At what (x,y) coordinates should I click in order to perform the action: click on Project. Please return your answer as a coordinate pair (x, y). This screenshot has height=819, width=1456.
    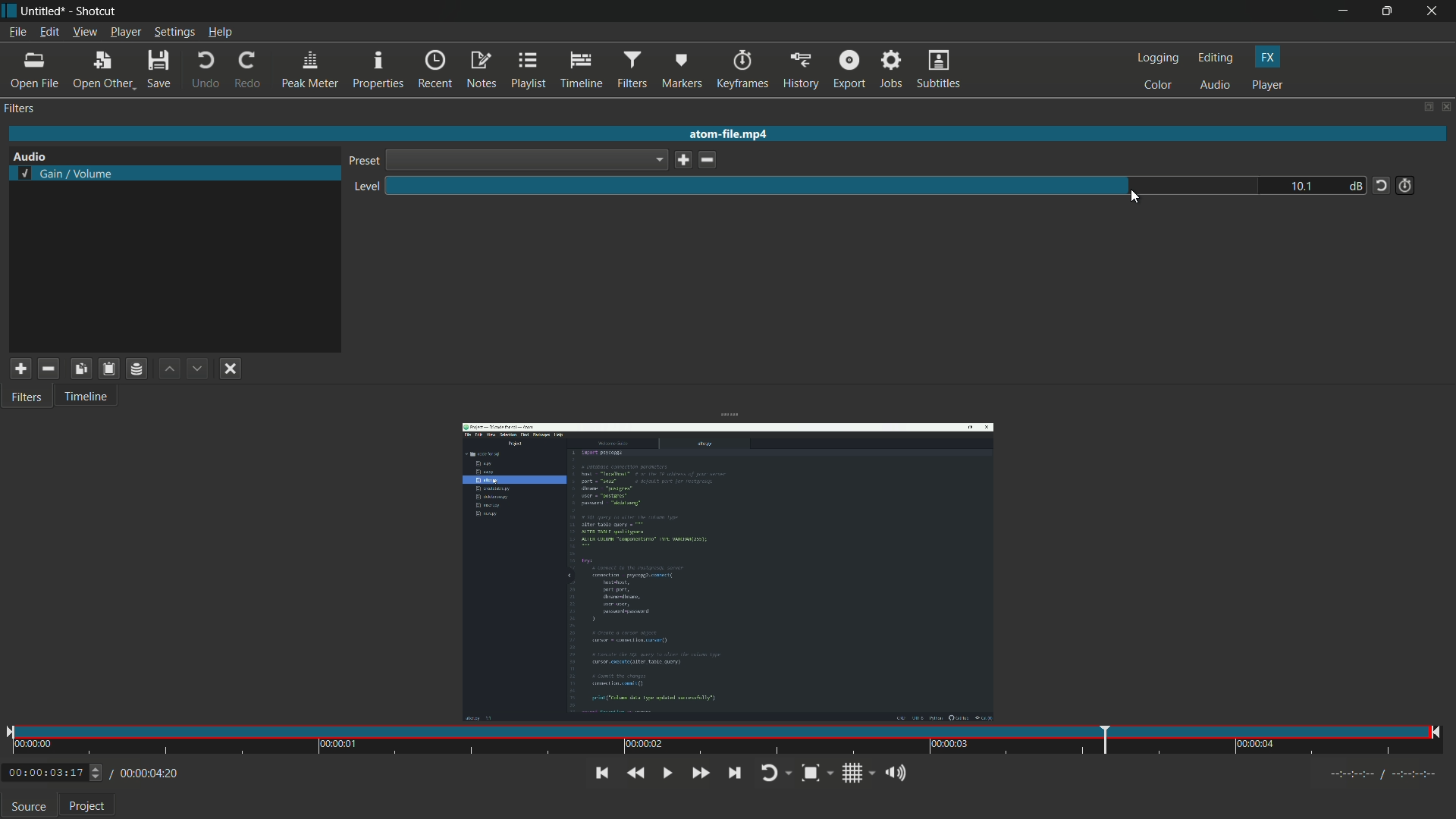
    Looking at the image, I should click on (86, 807).